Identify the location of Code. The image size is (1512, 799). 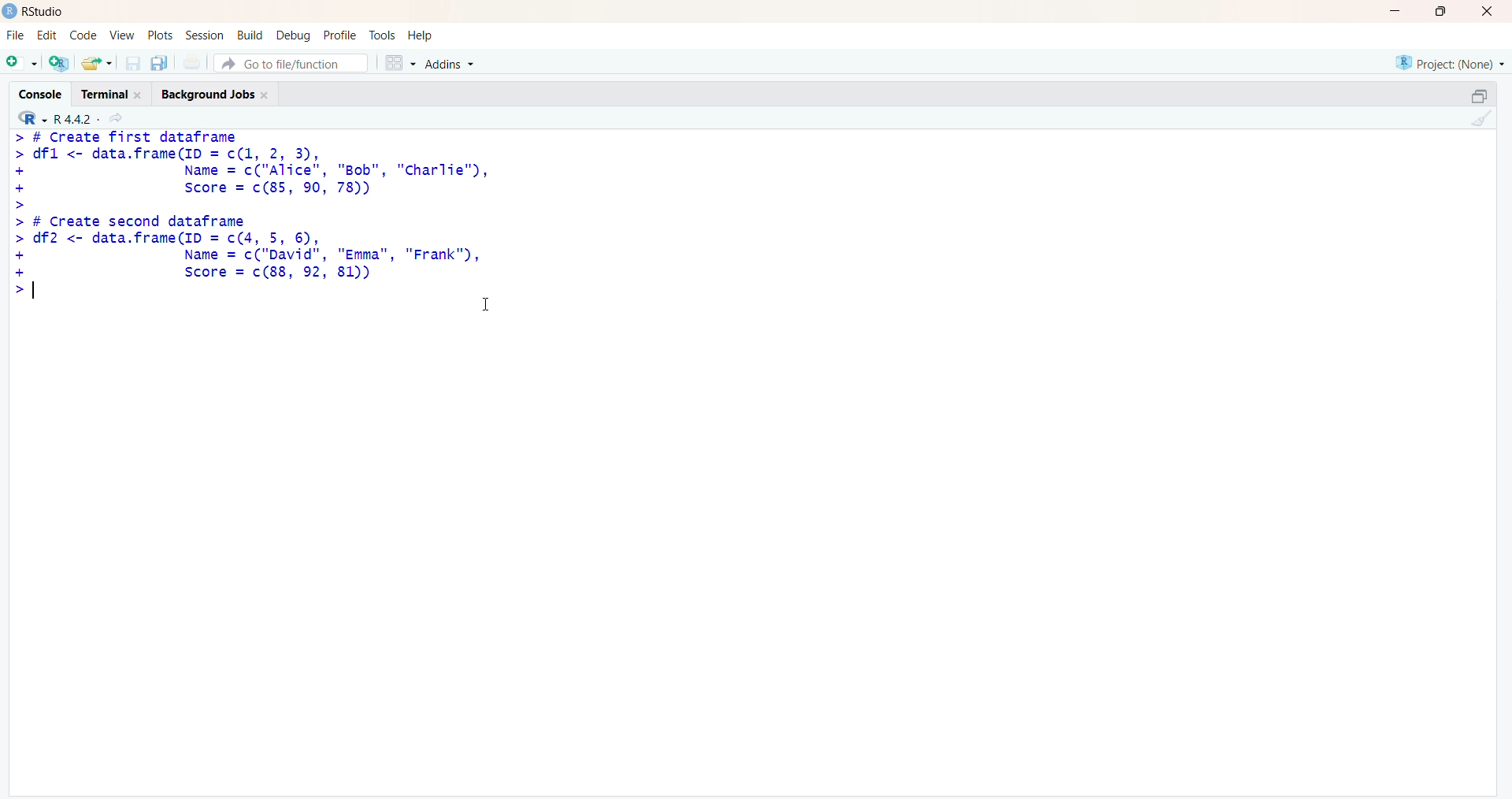
(83, 35).